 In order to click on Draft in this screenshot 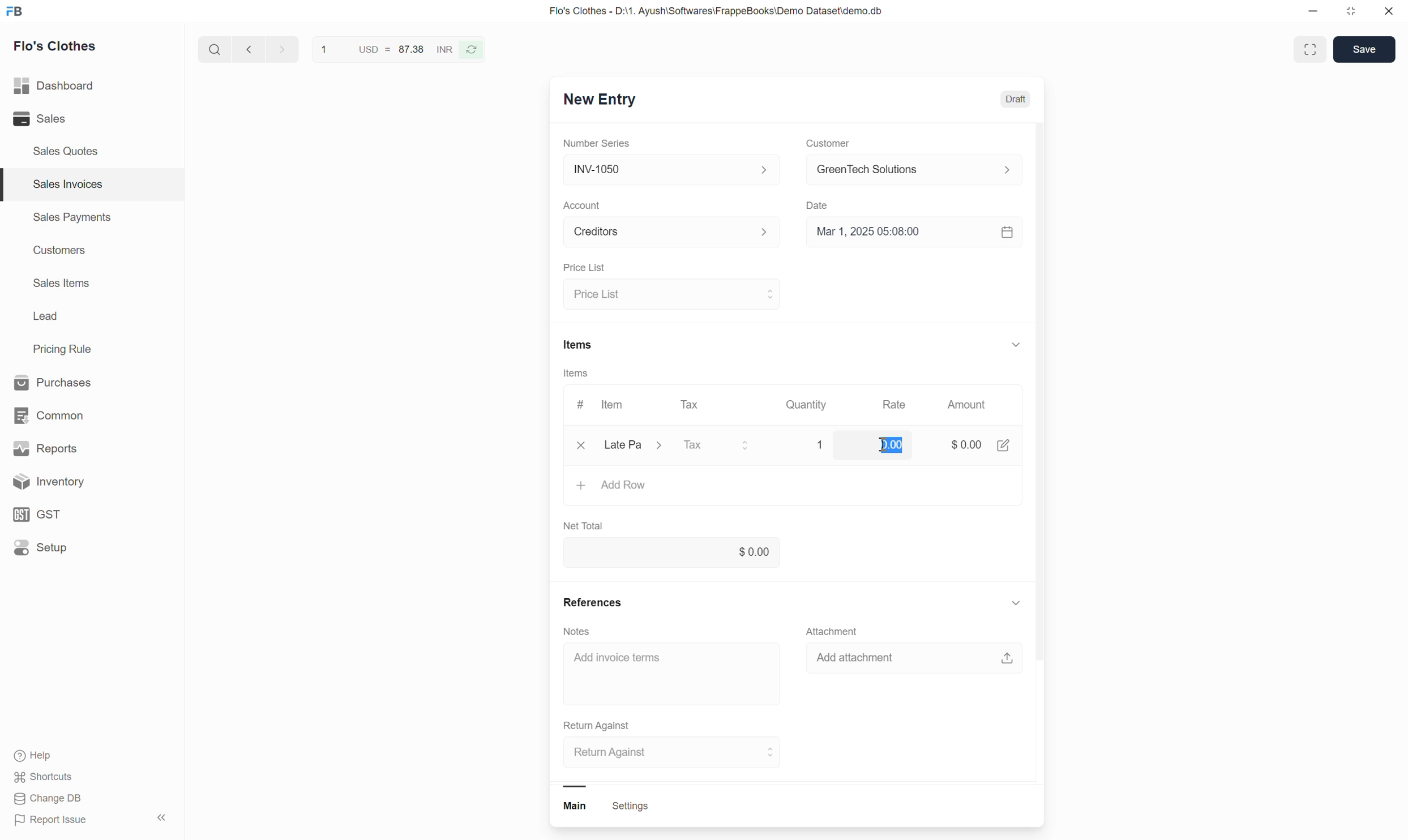, I will do `click(1015, 100)`.